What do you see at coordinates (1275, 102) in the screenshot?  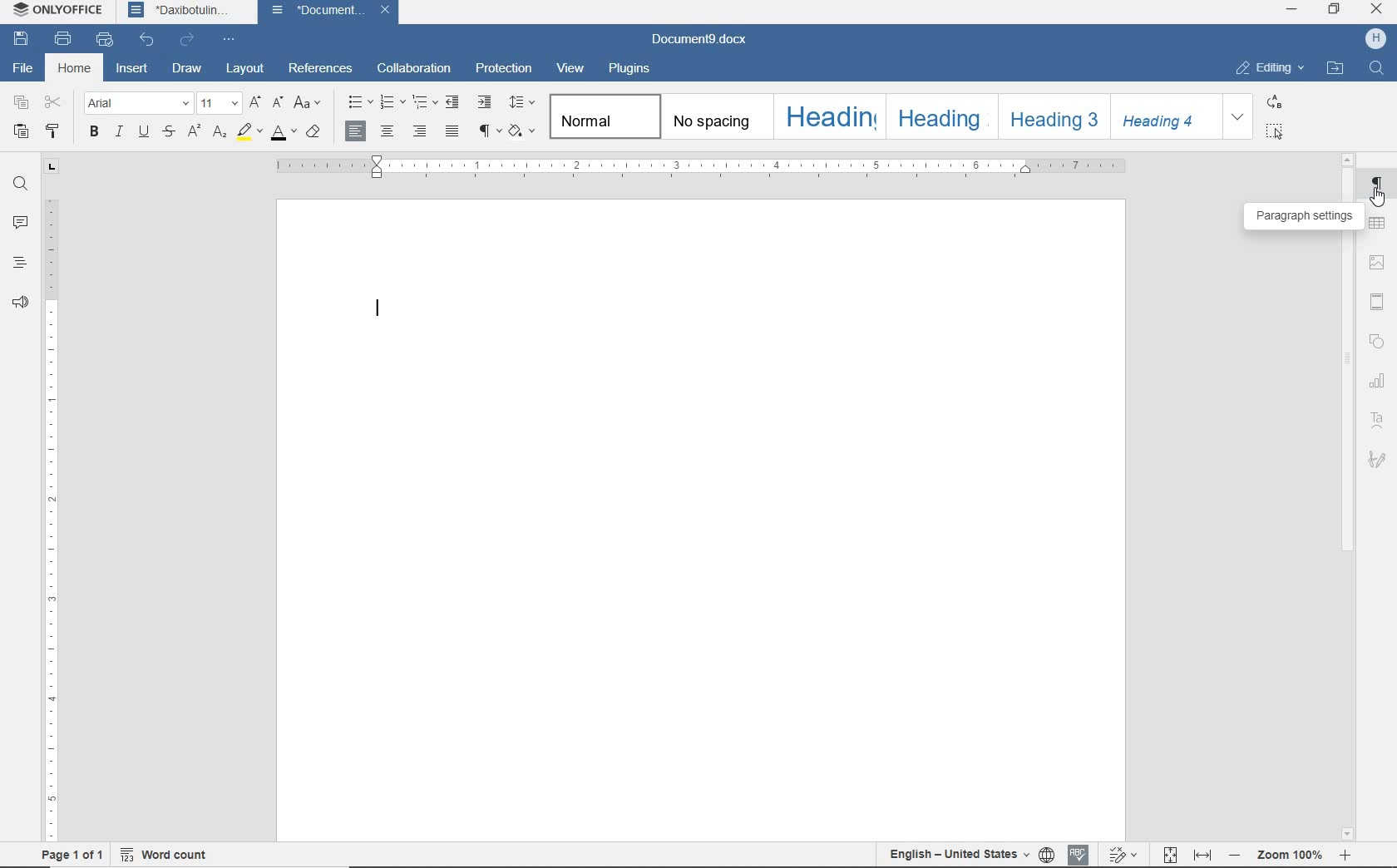 I see `REPLACE` at bounding box center [1275, 102].